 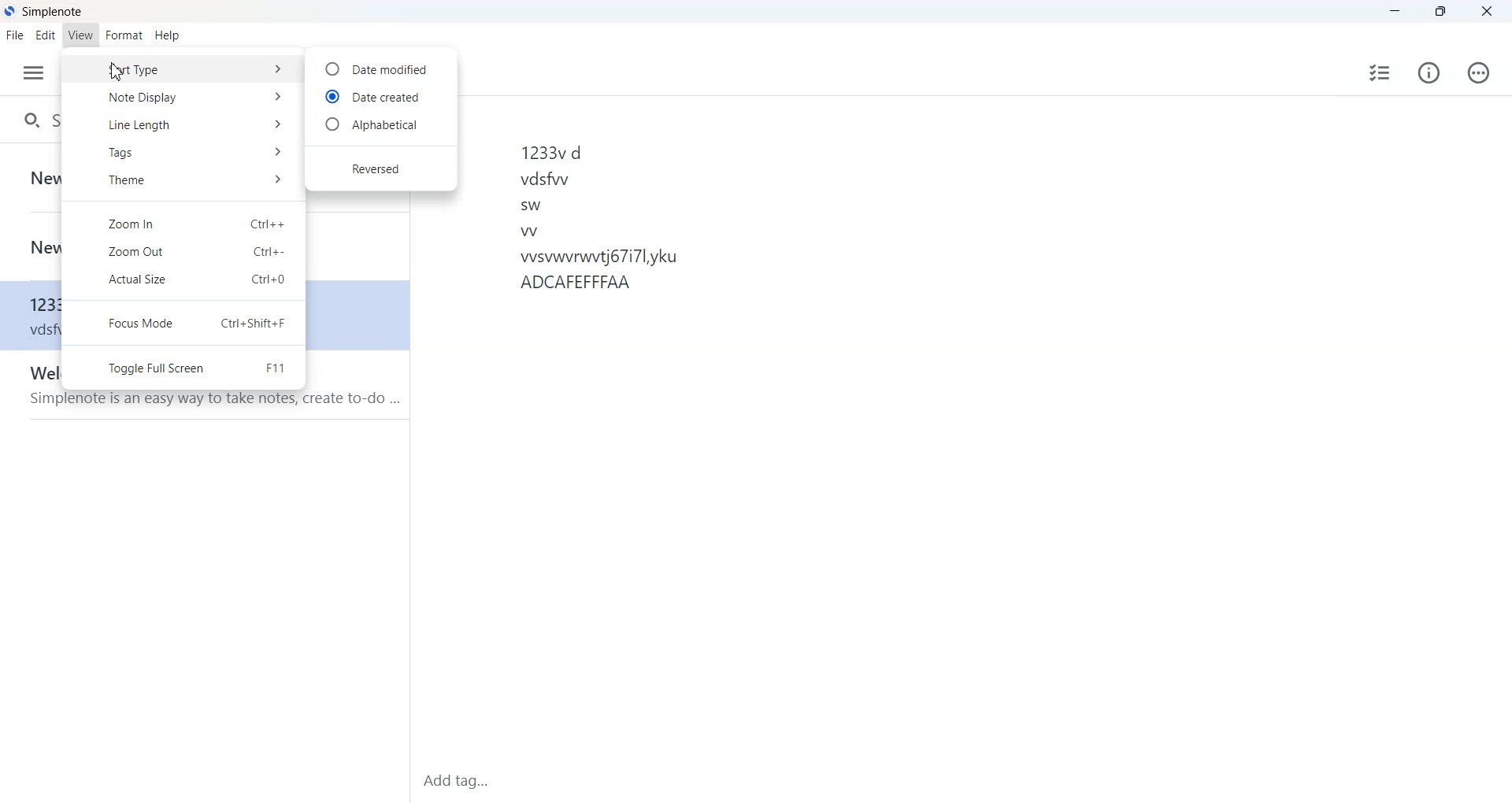 I want to click on Actual Size, so click(x=183, y=280).